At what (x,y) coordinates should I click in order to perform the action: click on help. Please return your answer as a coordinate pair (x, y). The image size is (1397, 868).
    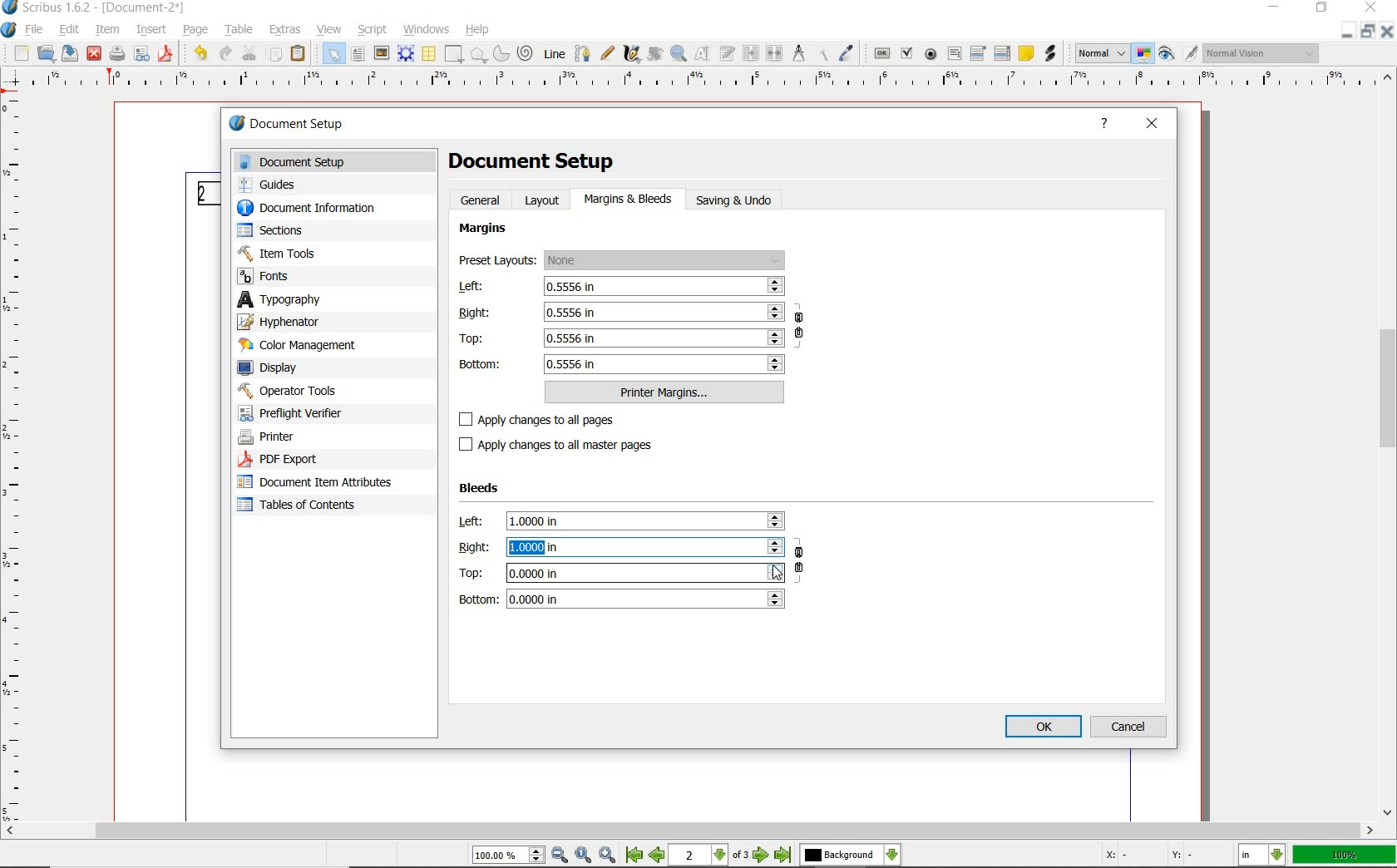
    Looking at the image, I should click on (478, 31).